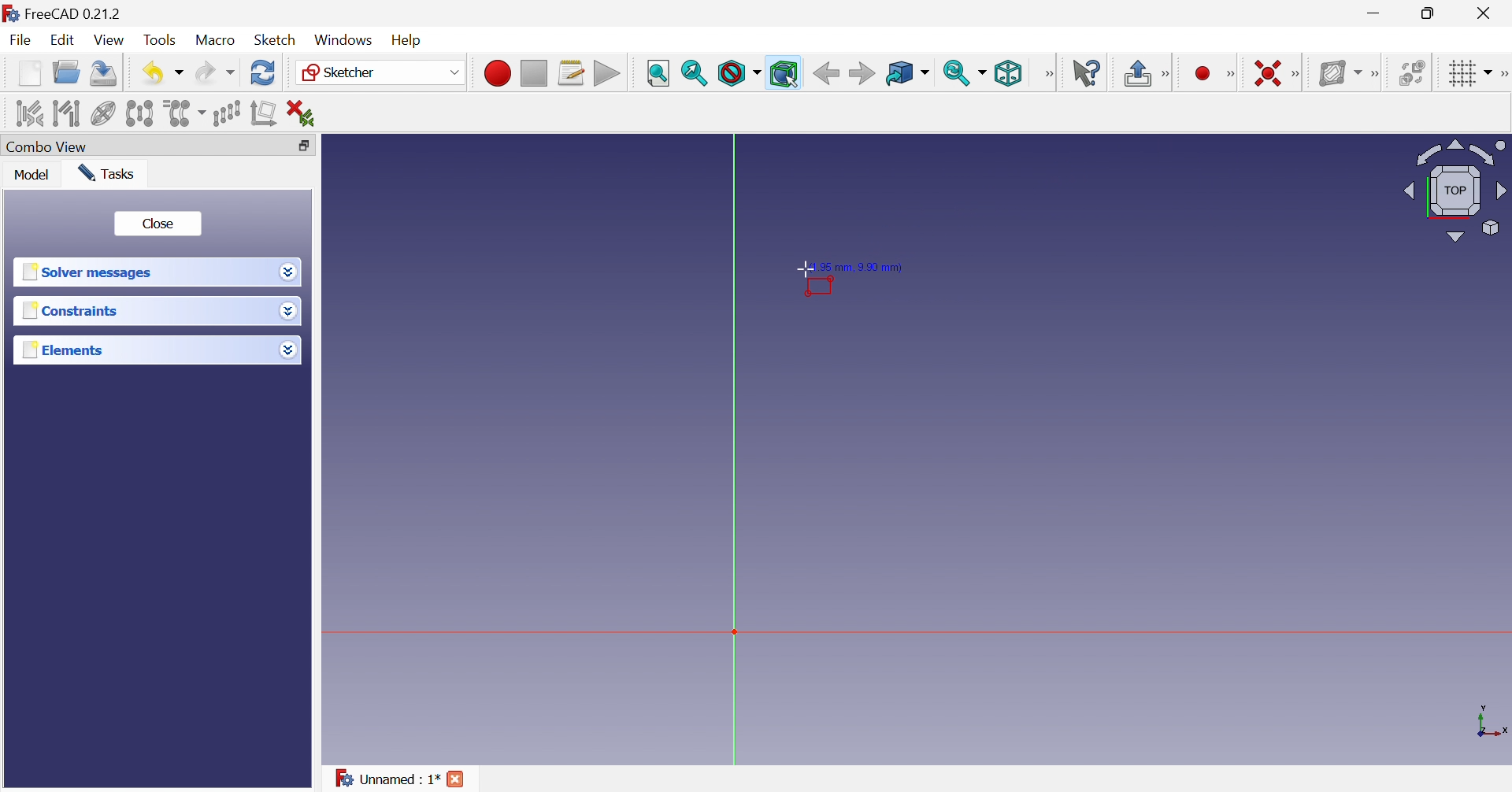 This screenshot has width=1512, height=792. What do you see at coordinates (965, 73) in the screenshot?
I see `Sync view` at bounding box center [965, 73].